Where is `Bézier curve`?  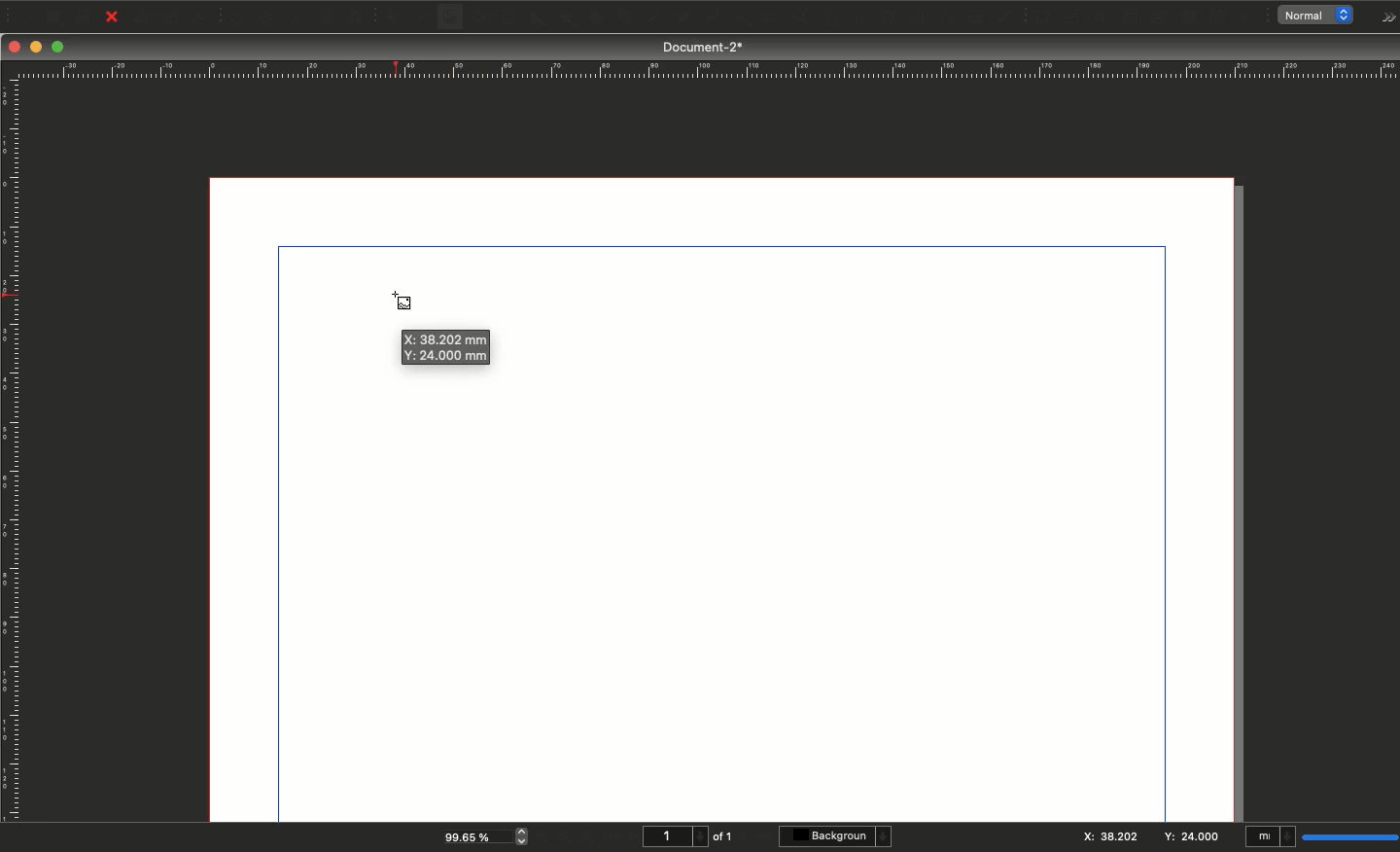
Bézier curve is located at coordinates (681, 18).